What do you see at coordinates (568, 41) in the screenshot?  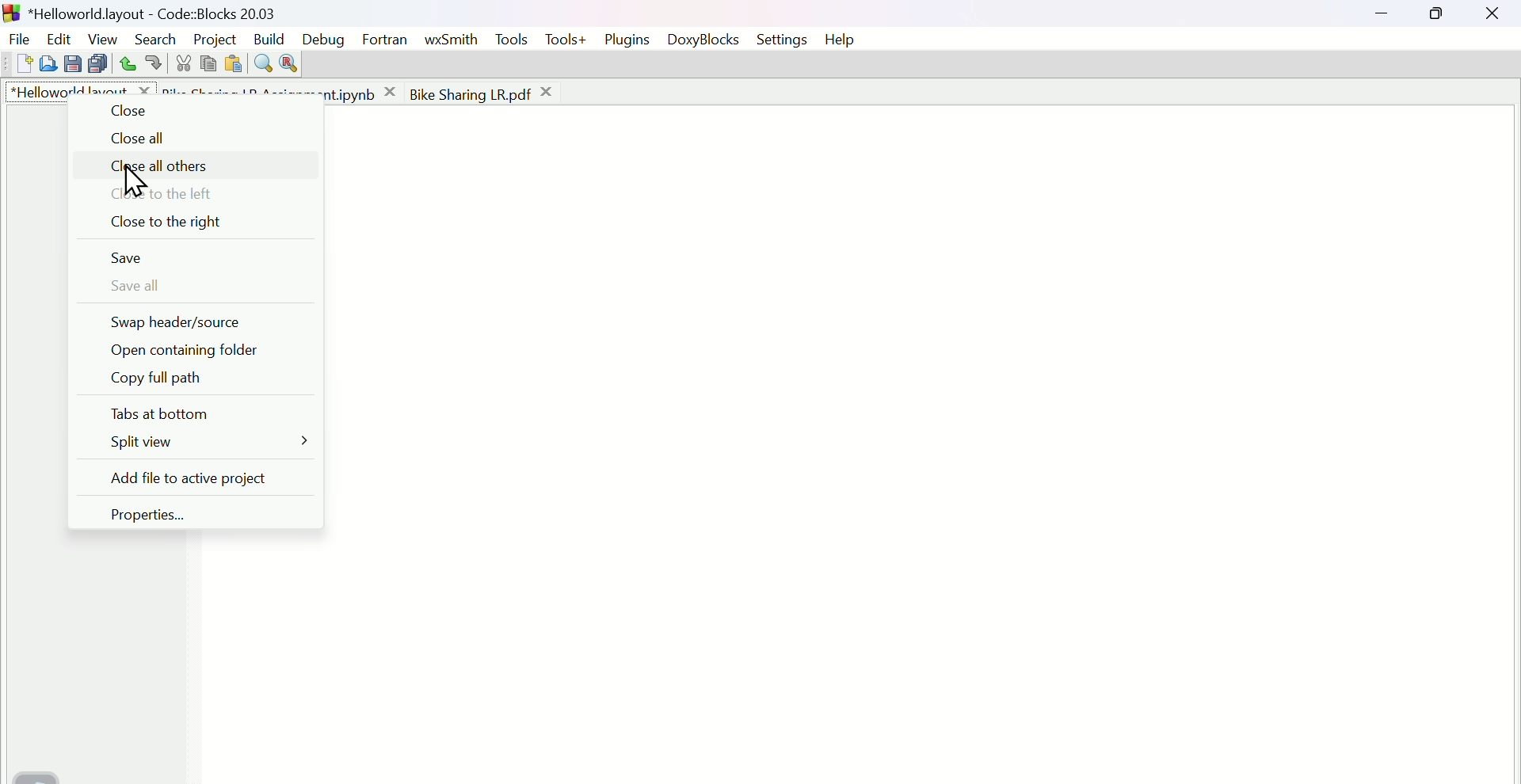 I see `Tools plus` at bounding box center [568, 41].